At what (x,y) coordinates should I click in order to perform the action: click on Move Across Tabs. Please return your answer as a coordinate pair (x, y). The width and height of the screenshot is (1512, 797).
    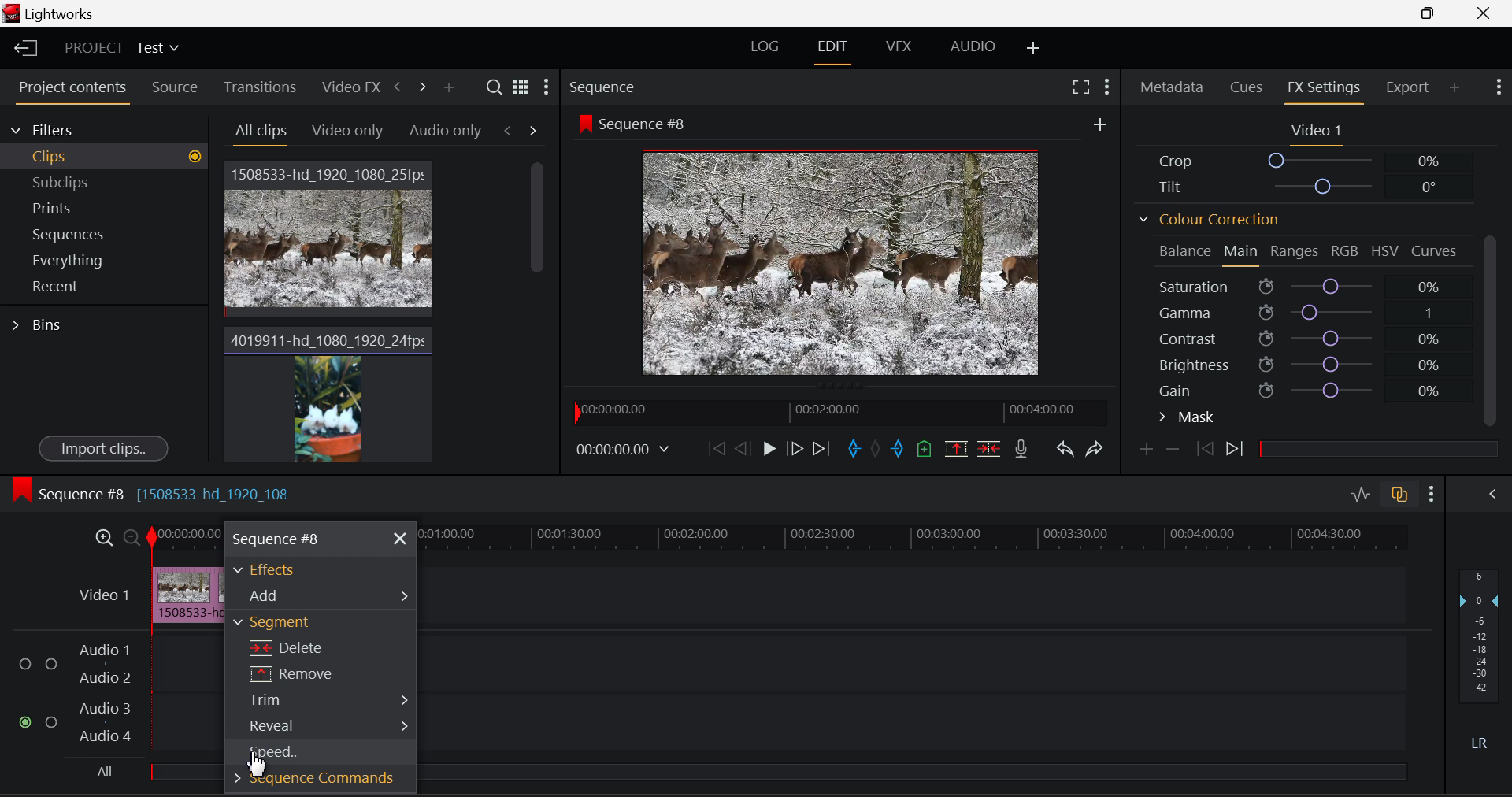
    Looking at the image, I should click on (410, 87).